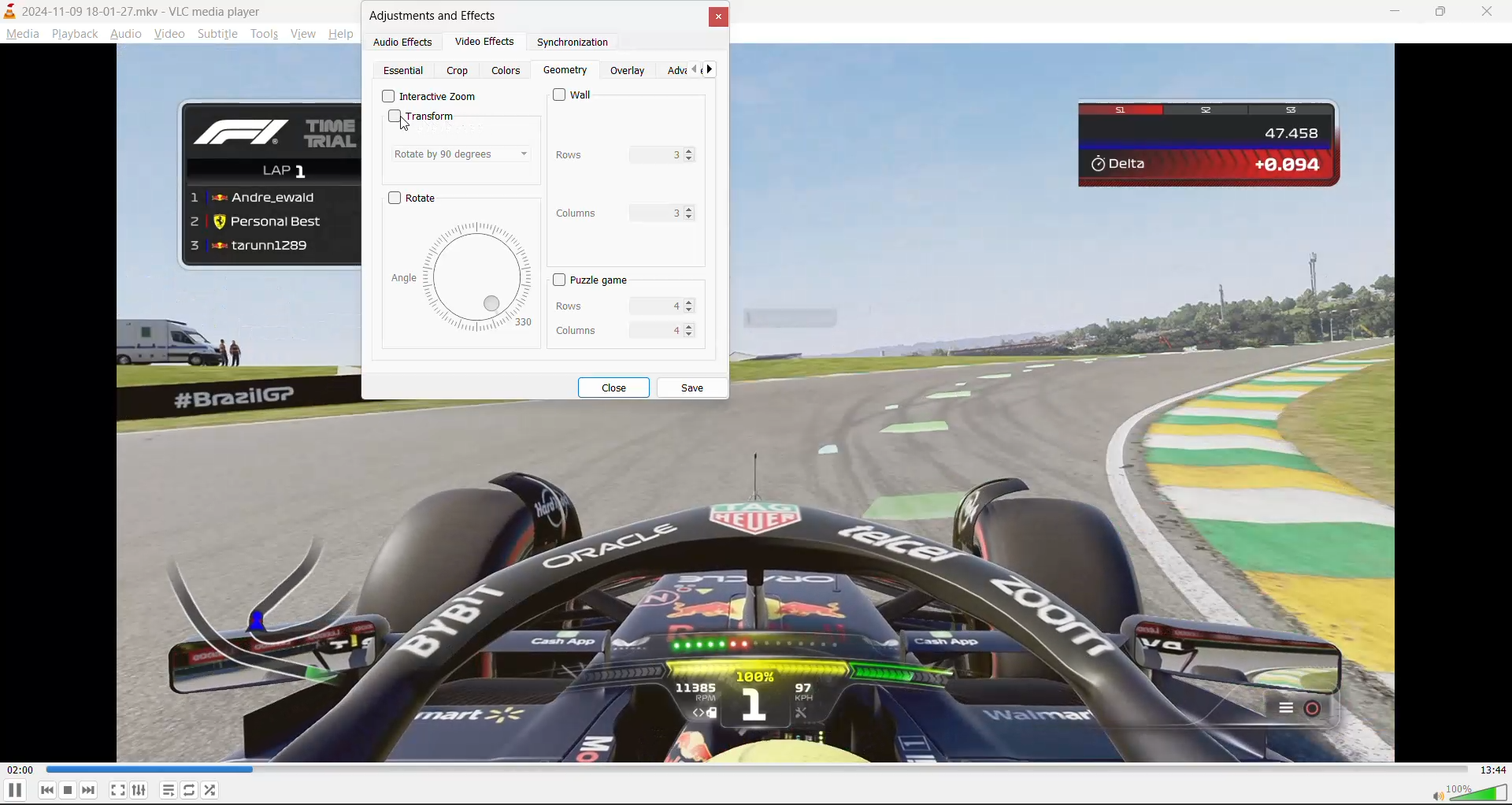 This screenshot has width=1512, height=805. I want to click on video, so click(169, 37).